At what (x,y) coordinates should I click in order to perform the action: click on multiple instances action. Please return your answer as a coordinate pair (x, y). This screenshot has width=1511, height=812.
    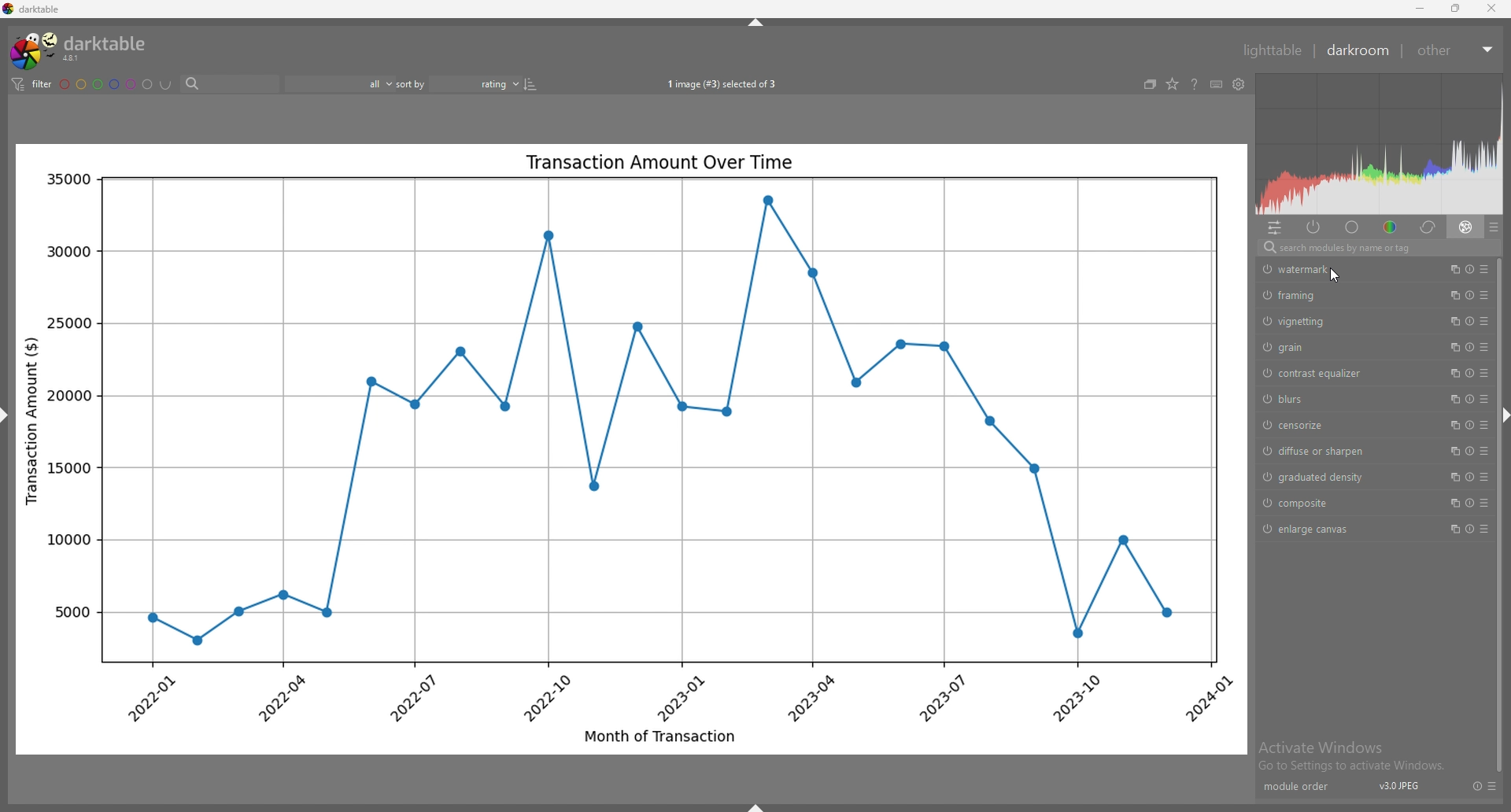
    Looking at the image, I should click on (1454, 450).